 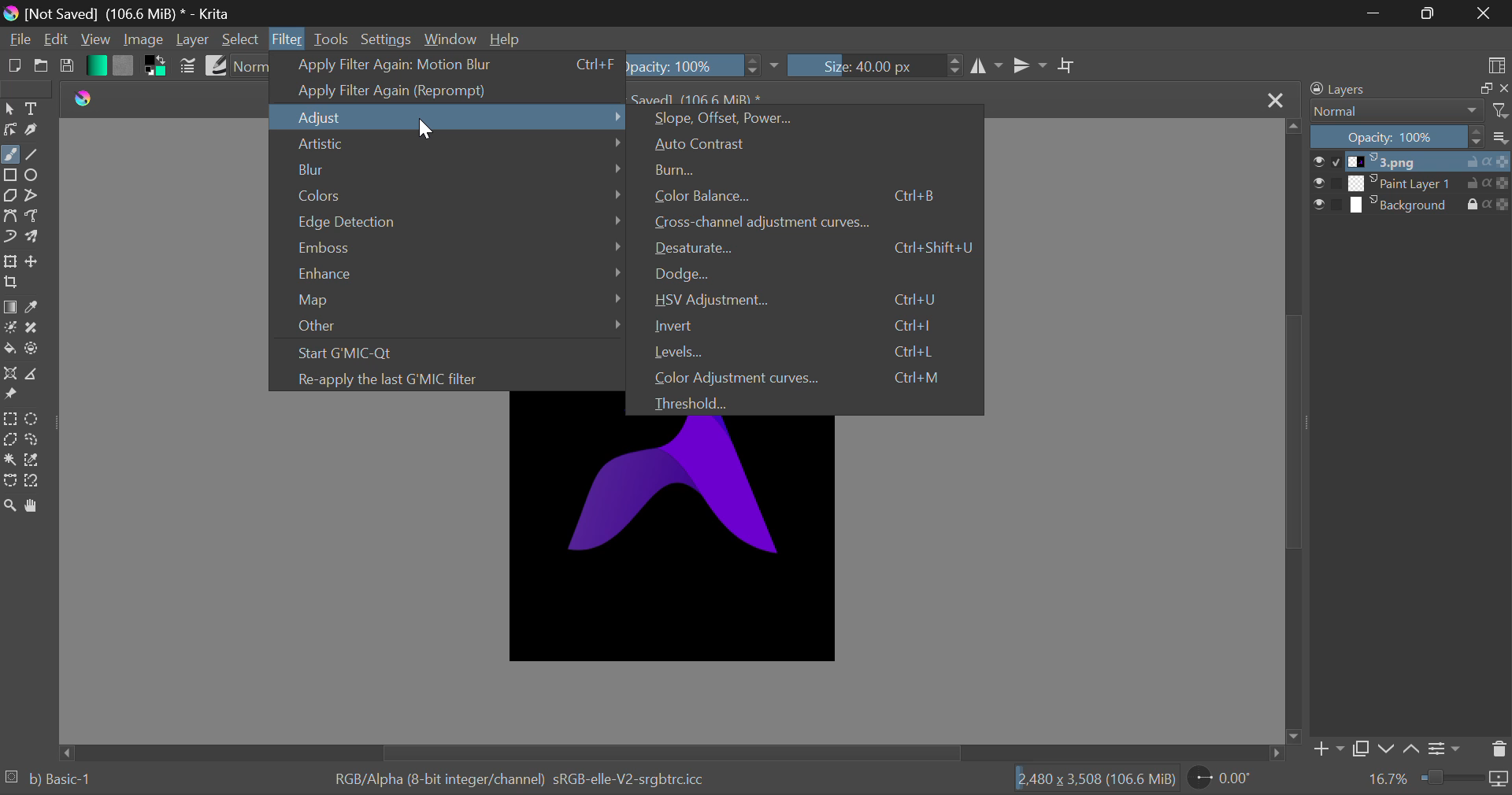 I want to click on Fill, so click(x=9, y=349).